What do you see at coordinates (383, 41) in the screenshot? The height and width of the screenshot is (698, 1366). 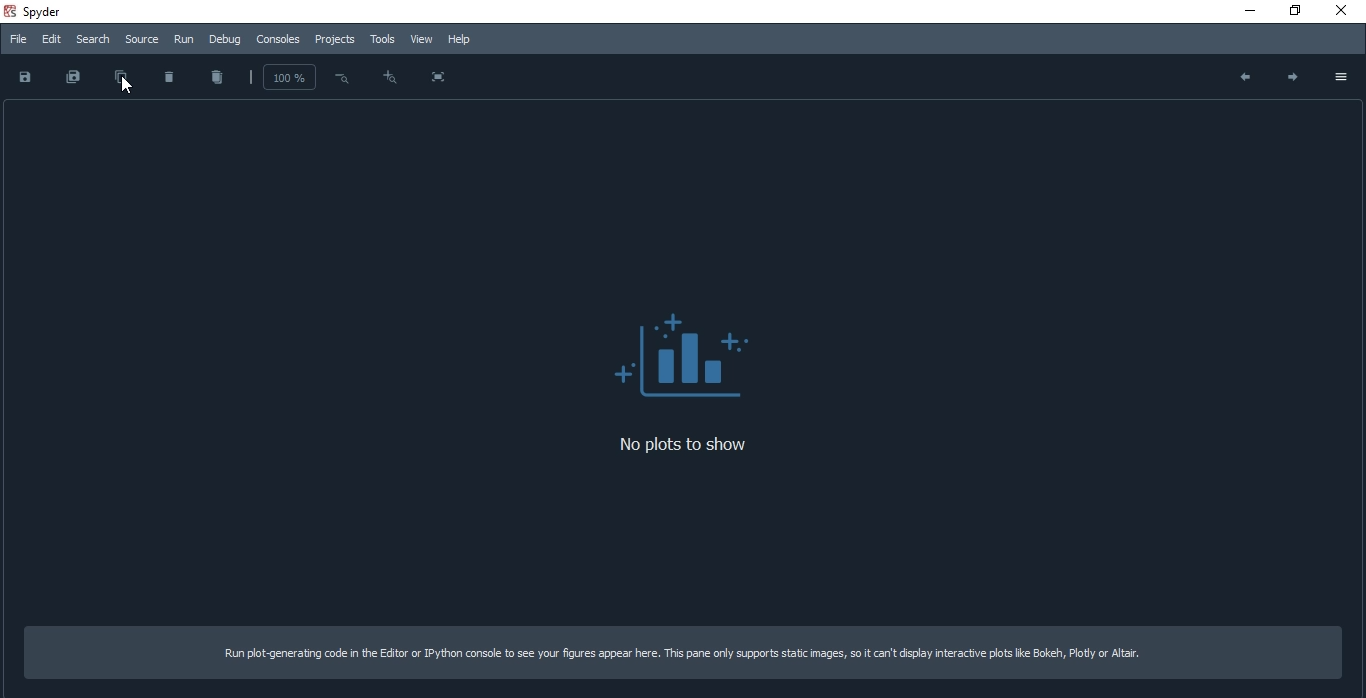 I see `Tools` at bounding box center [383, 41].